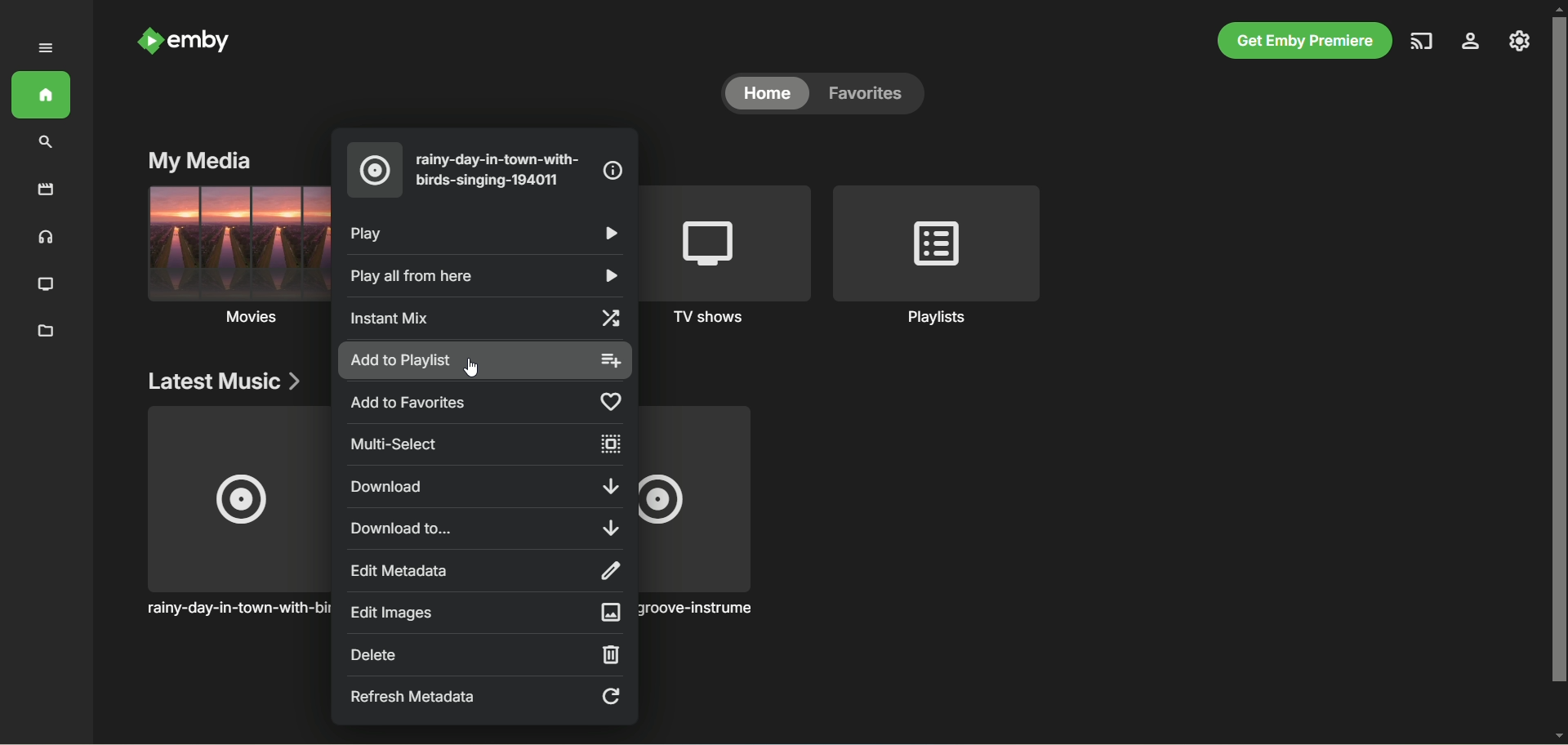 Image resolution: width=1568 pixels, height=745 pixels. Describe the element at coordinates (484, 234) in the screenshot. I see `play` at that location.